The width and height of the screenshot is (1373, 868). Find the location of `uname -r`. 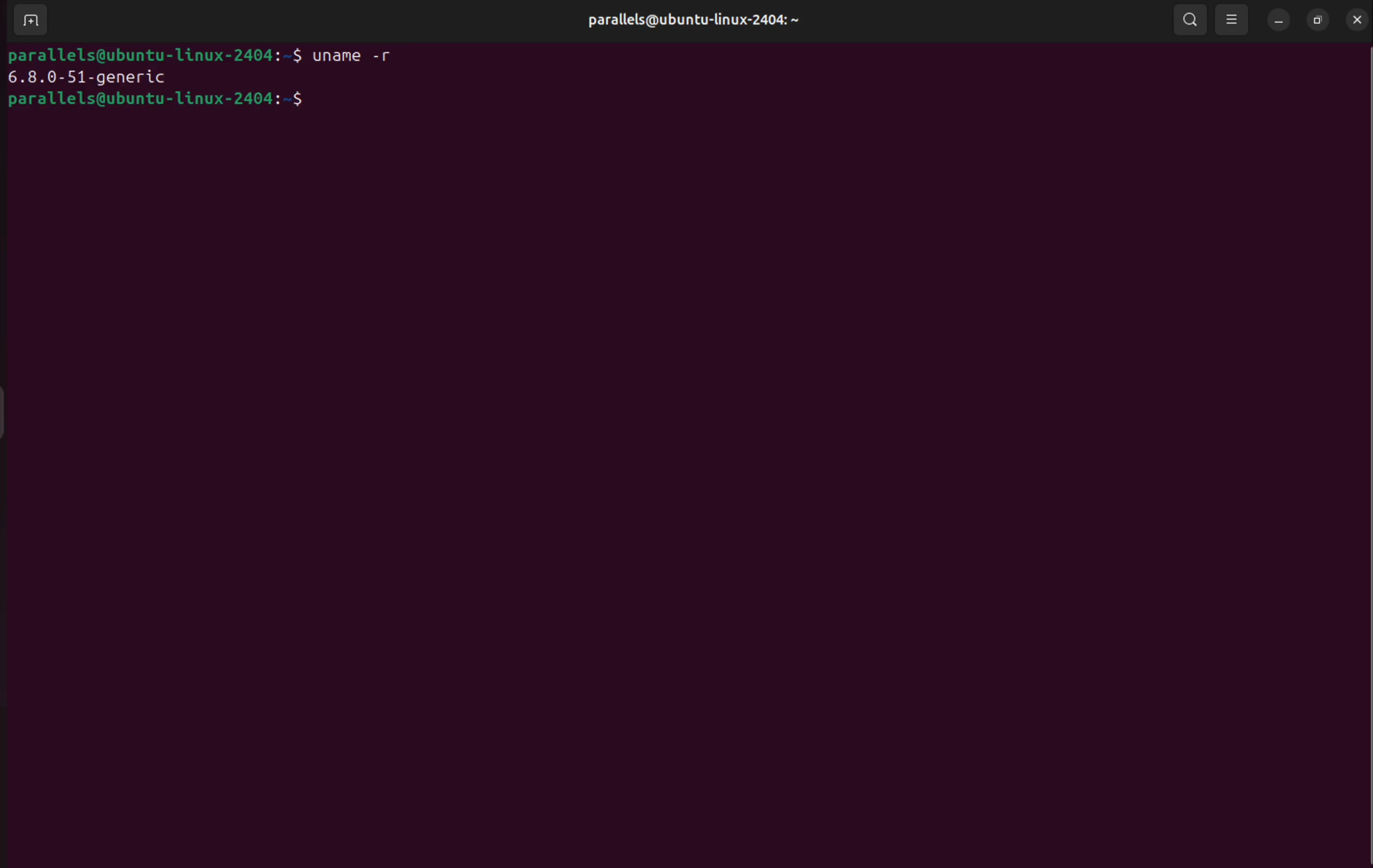

uname -r is located at coordinates (360, 57).